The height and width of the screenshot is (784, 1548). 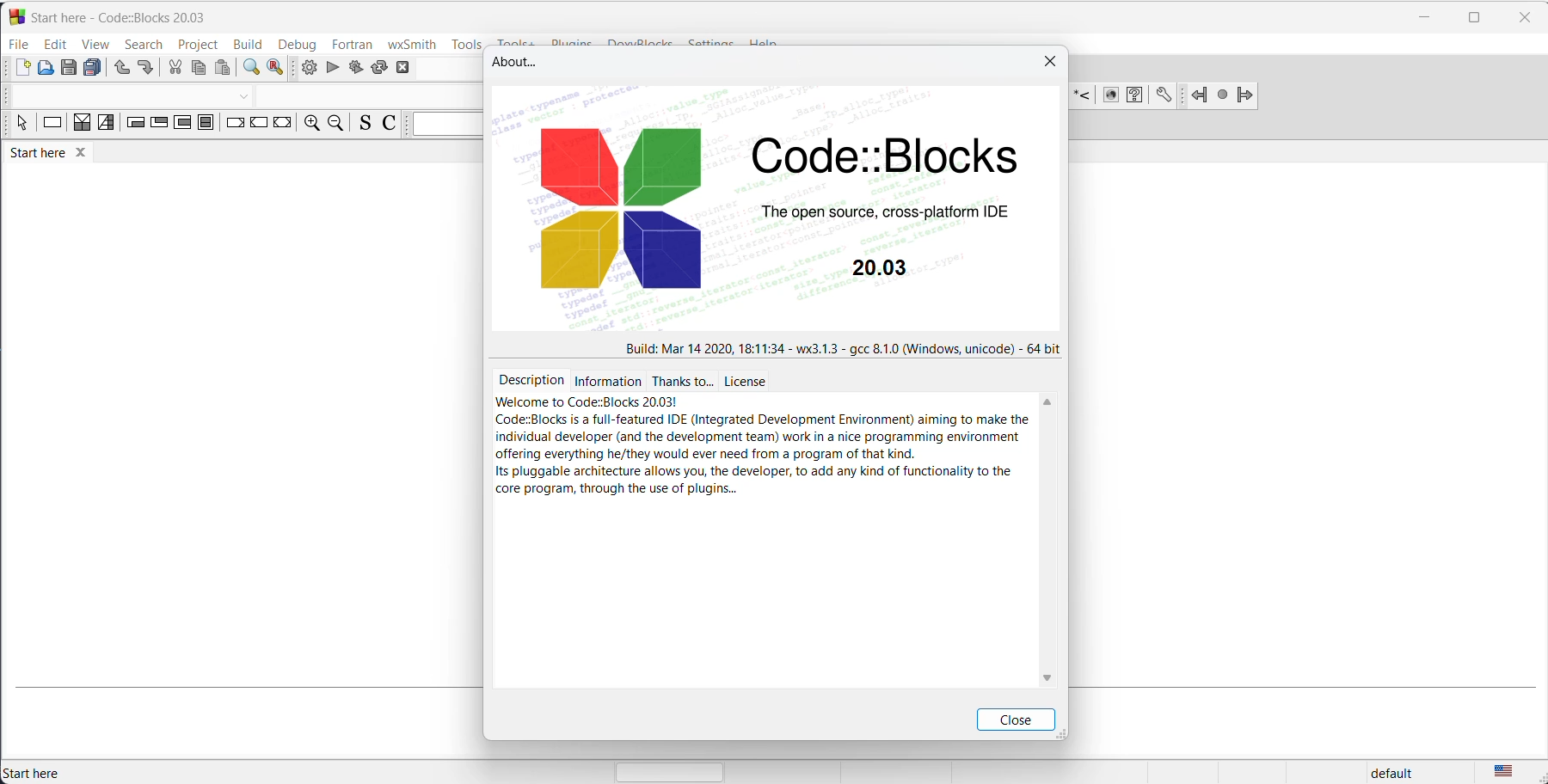 I want to click on close, so click(x=1017, y=720).